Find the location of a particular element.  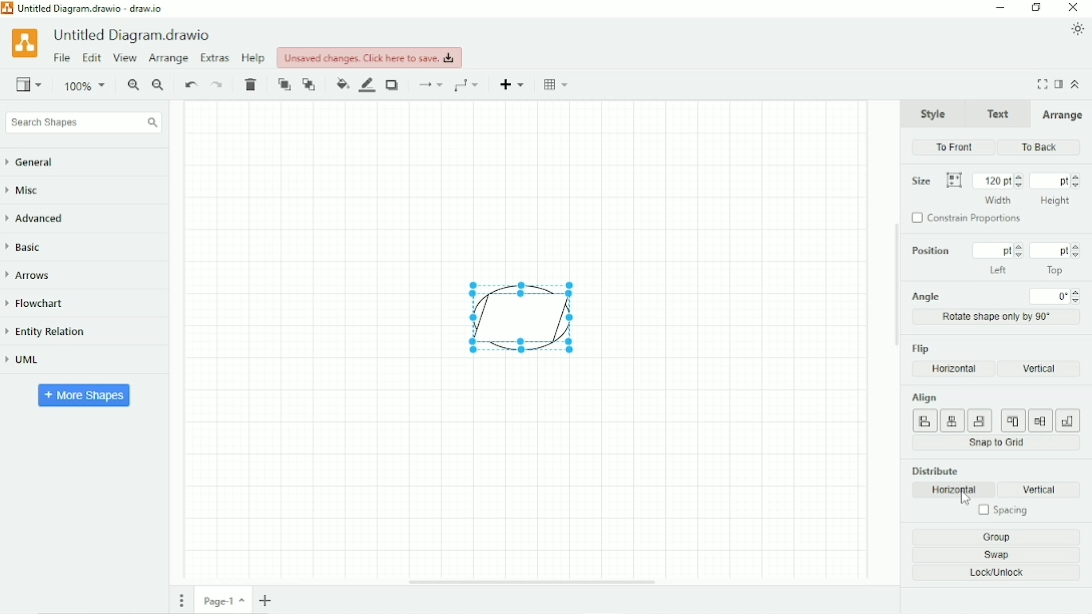

Fill color is located at coordinates (342, 84).